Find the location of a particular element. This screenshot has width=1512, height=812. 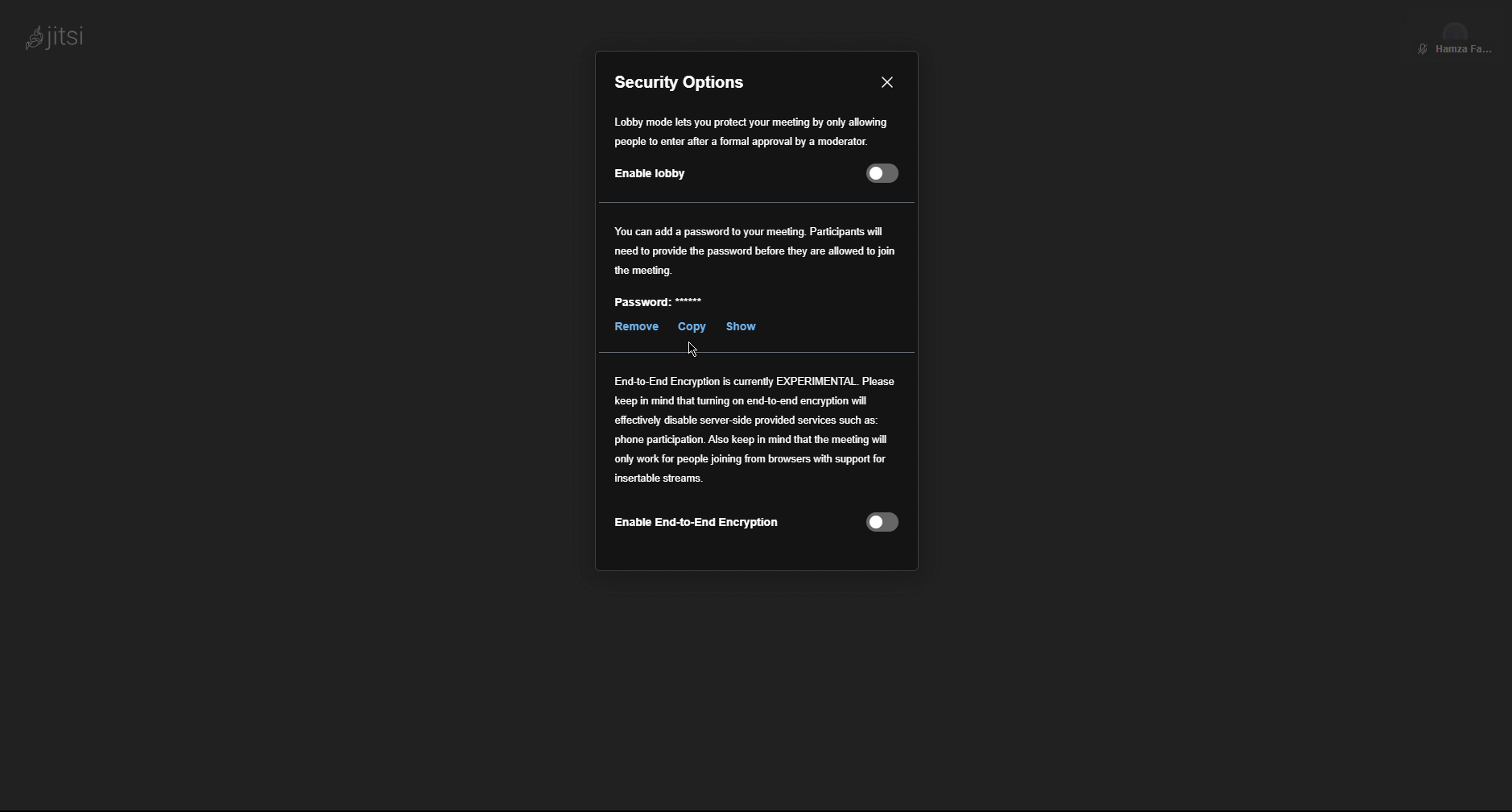

jitsi is located at coordinates (52, 34).